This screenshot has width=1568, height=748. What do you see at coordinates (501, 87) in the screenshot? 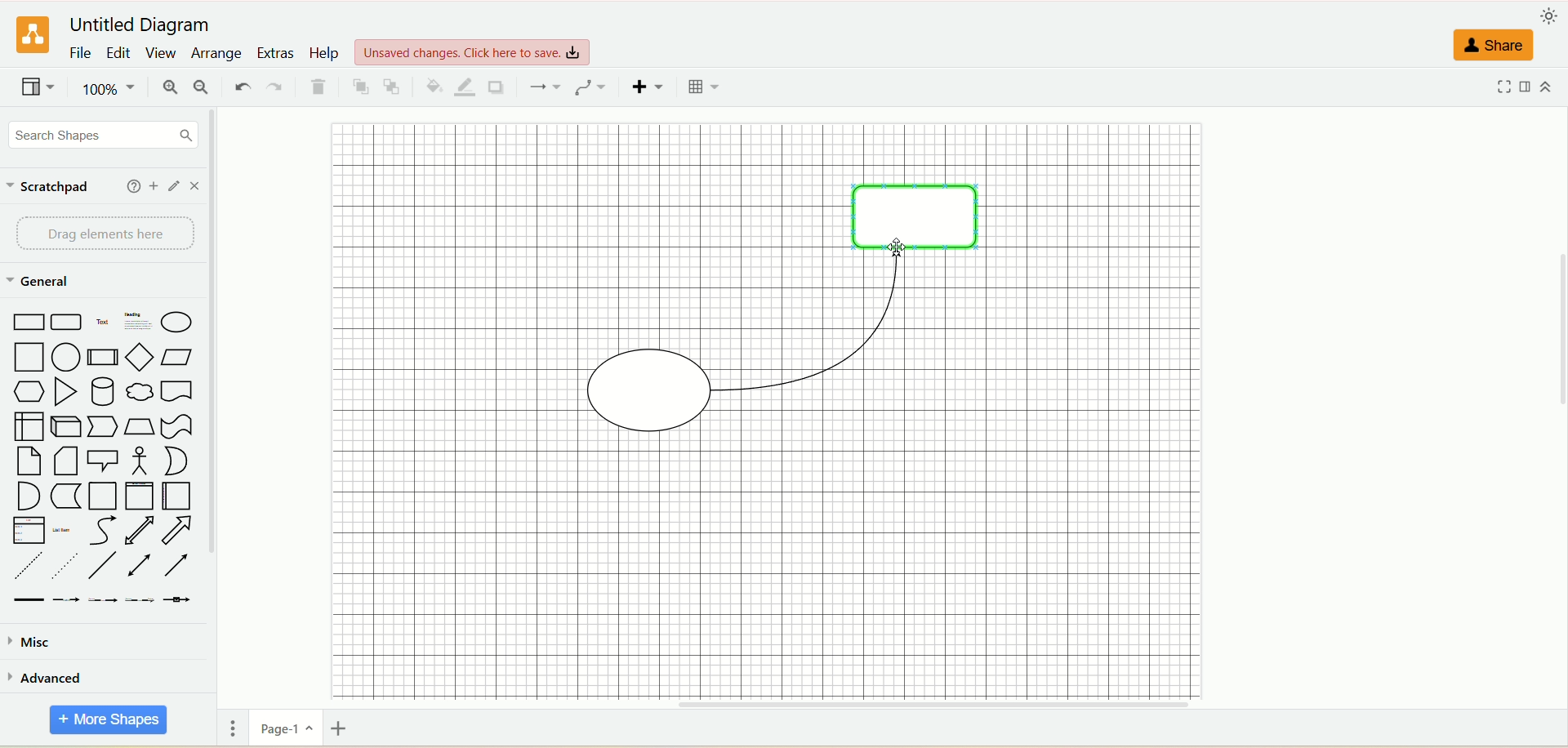
I see `shadow` at bounding box center [501, 87].